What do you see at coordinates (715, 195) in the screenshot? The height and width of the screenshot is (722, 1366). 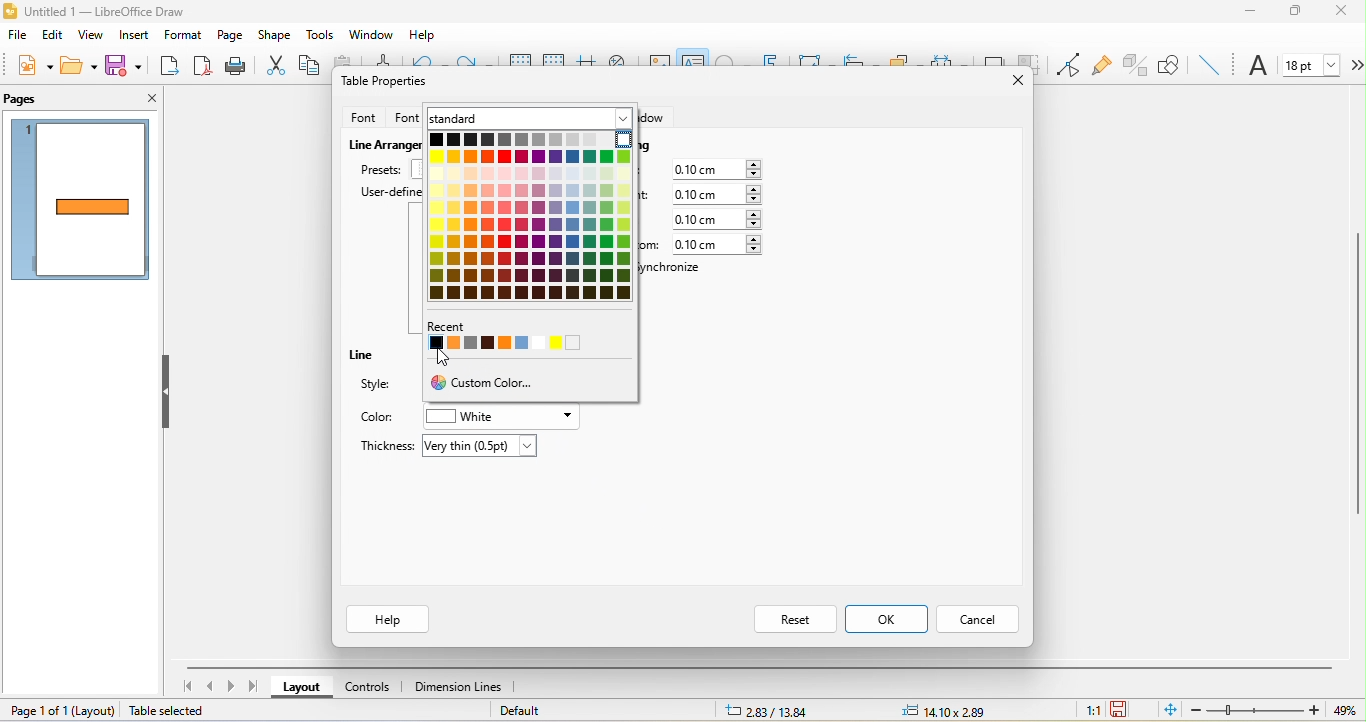 I see `0.10 cm` at bounding box center [715, 195].